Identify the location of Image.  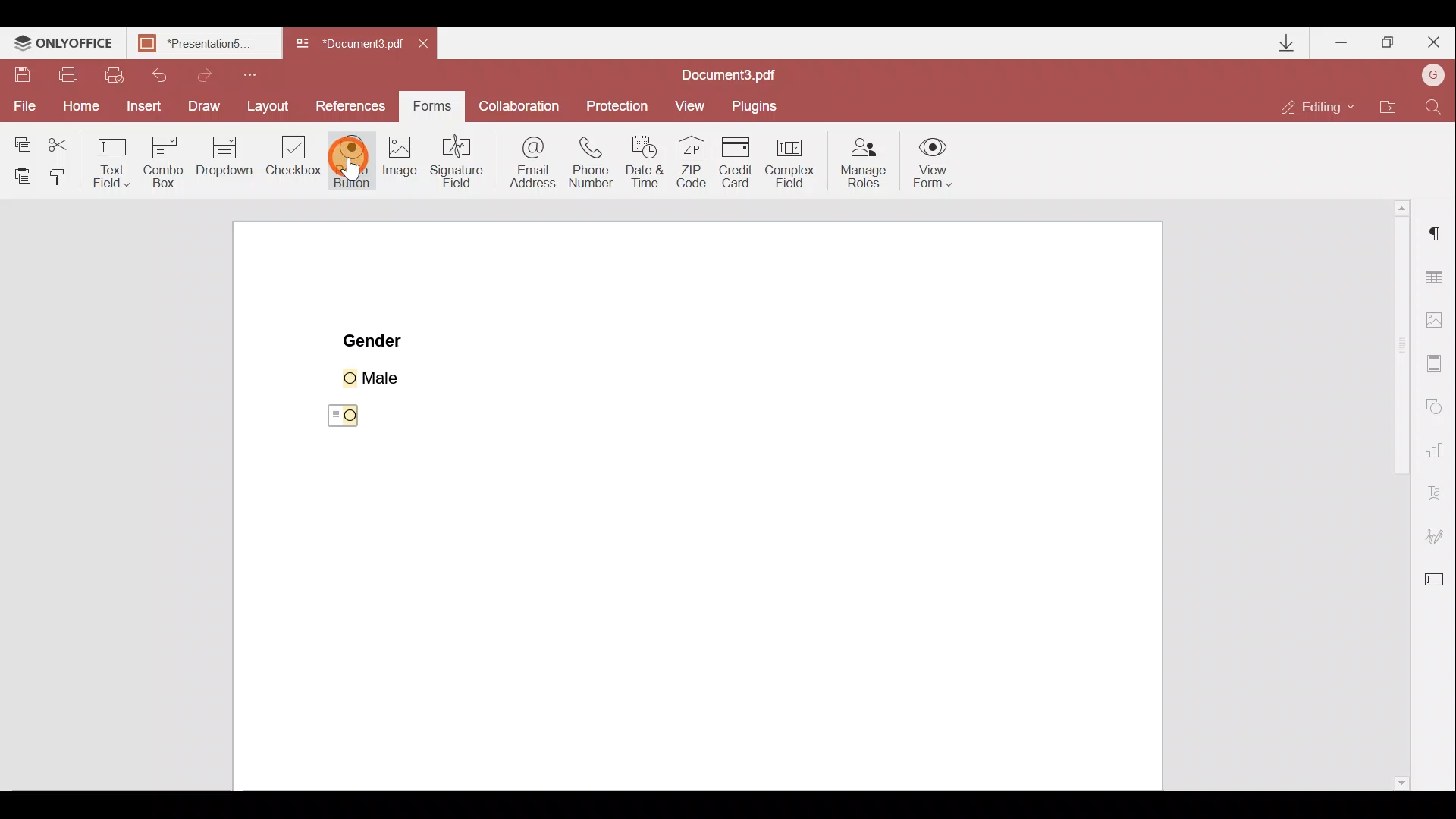
(401, 171).